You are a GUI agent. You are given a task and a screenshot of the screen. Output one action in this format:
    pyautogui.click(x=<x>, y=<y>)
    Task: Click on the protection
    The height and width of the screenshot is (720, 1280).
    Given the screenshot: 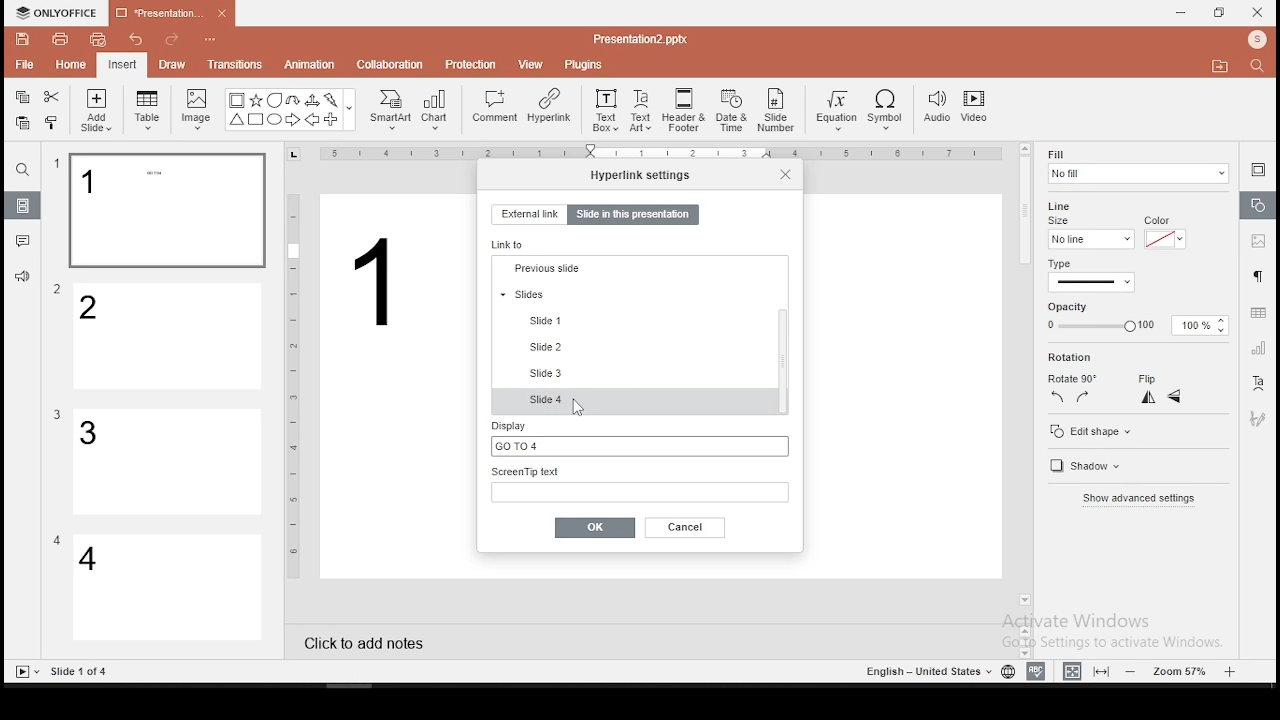 What is the action you would take?
    pyautogui.click(x=471, y=63)
    